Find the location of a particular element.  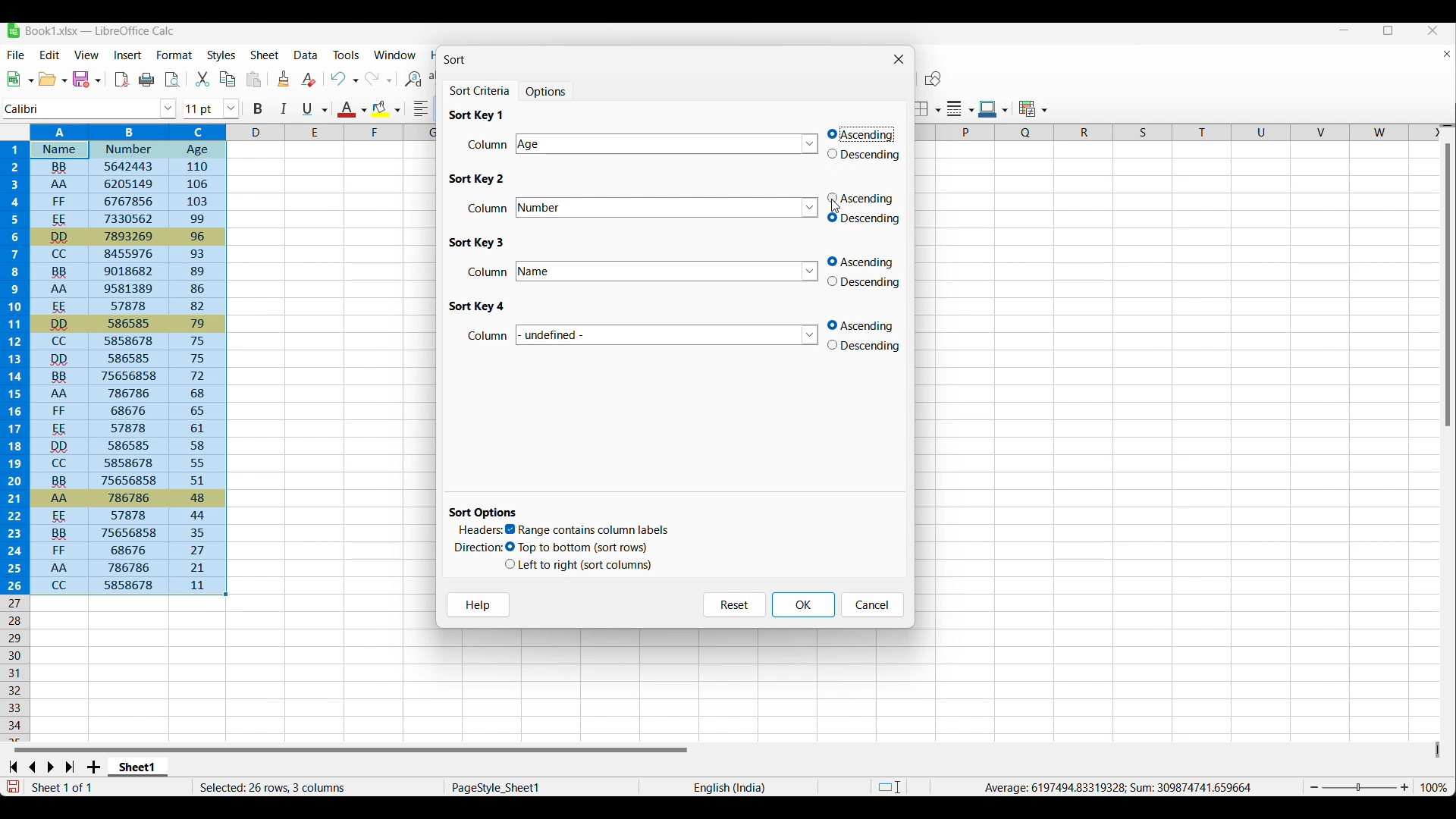

Current sheet out of total number of sheet in the workbook is located at coordinates (93, 787).